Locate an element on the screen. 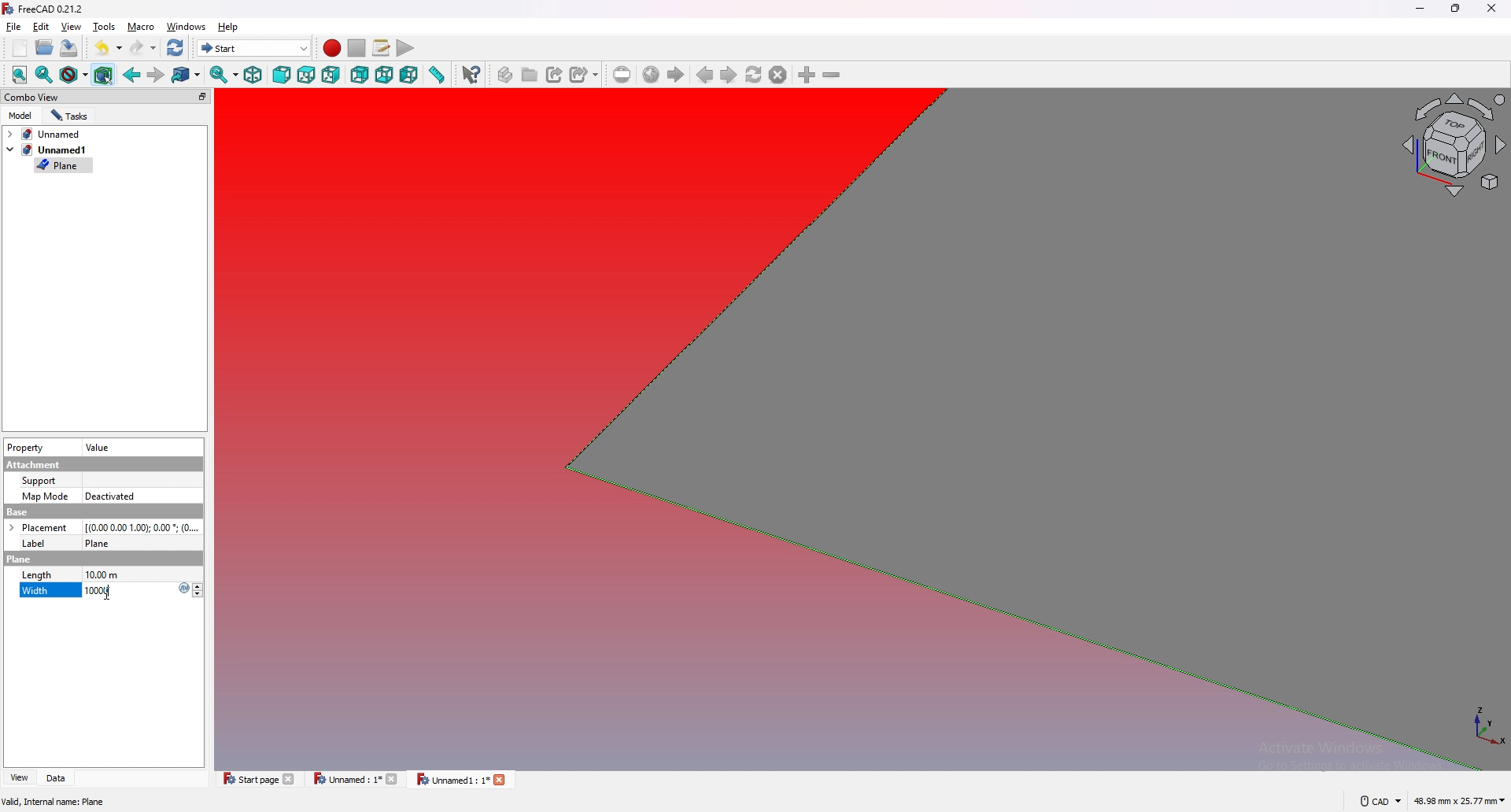 The image size is (1511, 812). view is located at coordinates (18, 778).